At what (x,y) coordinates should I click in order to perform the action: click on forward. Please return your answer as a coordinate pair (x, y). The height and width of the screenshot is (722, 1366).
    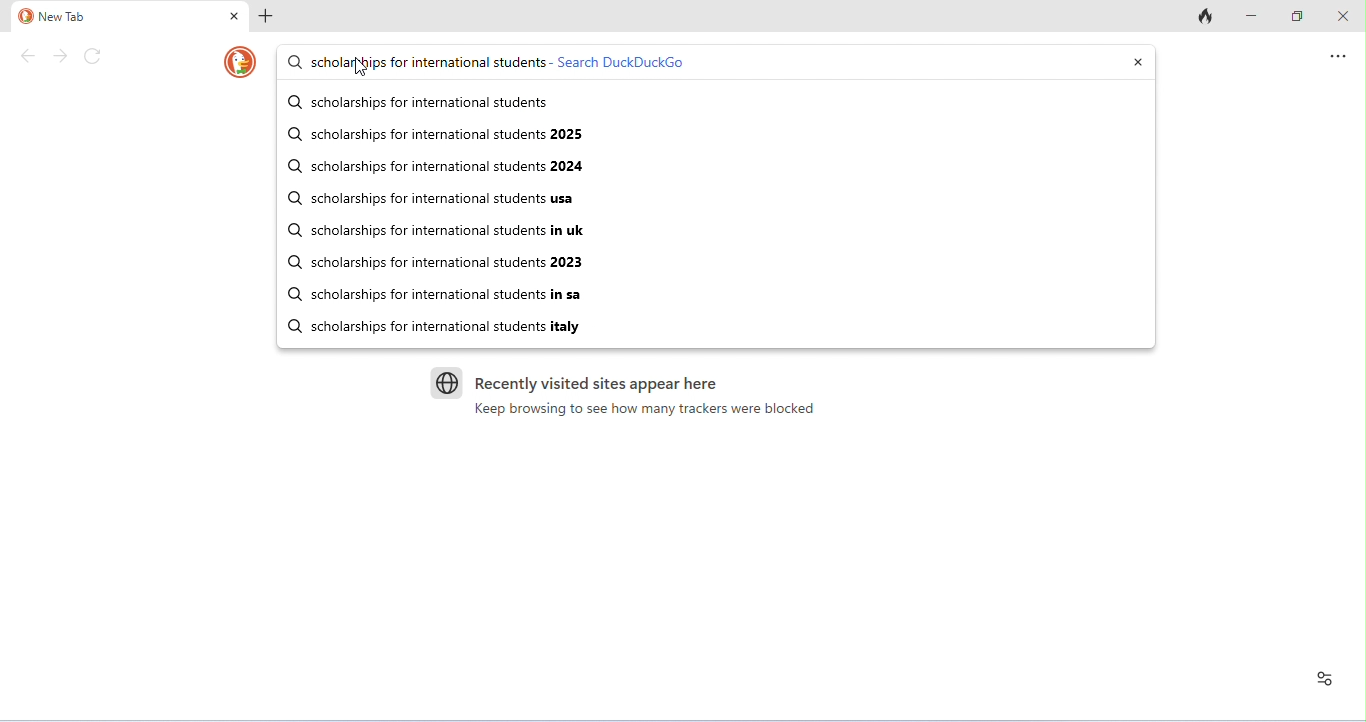
    Looking at the image, I should click on (62, 55).